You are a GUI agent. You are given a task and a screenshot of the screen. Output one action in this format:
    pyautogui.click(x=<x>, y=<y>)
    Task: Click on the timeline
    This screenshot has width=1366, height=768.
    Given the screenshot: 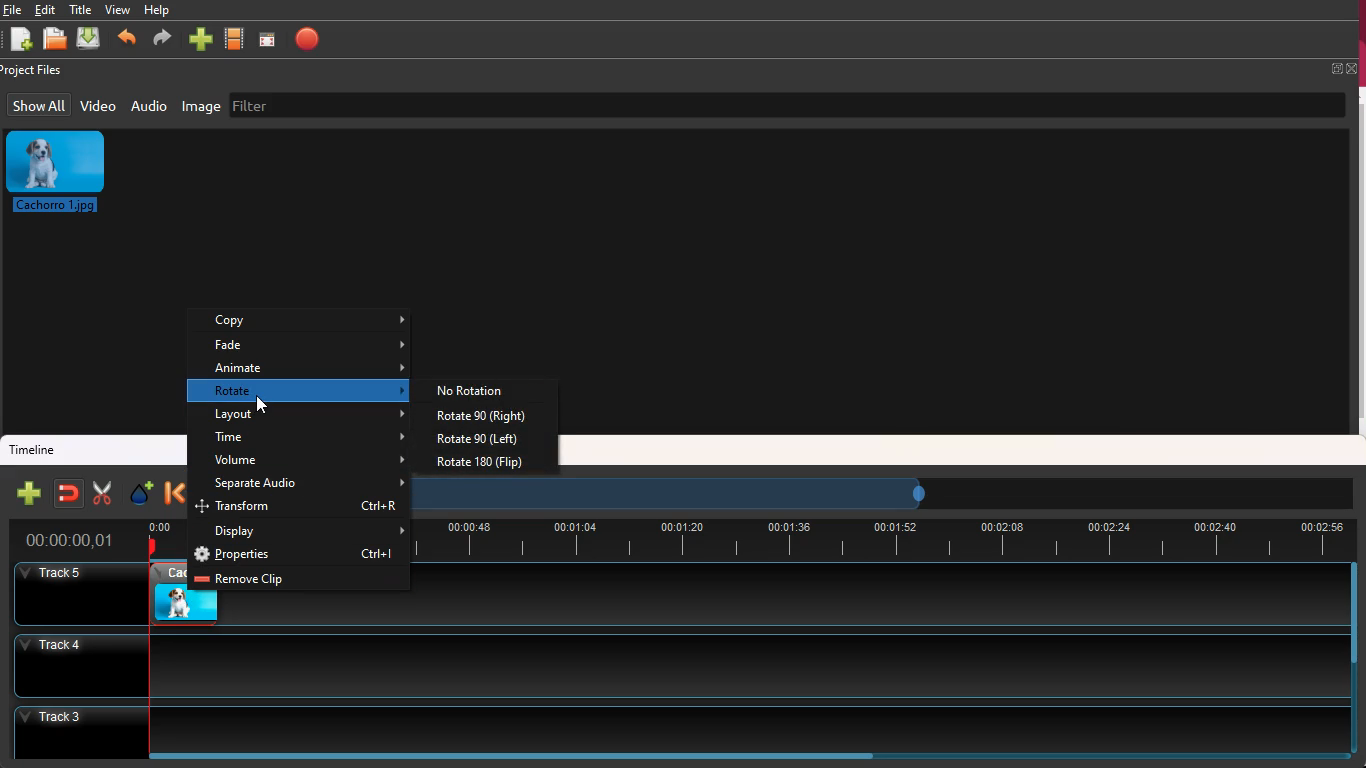 What is the action you would take?
    pyautogui.click(x=38, y=451)
    